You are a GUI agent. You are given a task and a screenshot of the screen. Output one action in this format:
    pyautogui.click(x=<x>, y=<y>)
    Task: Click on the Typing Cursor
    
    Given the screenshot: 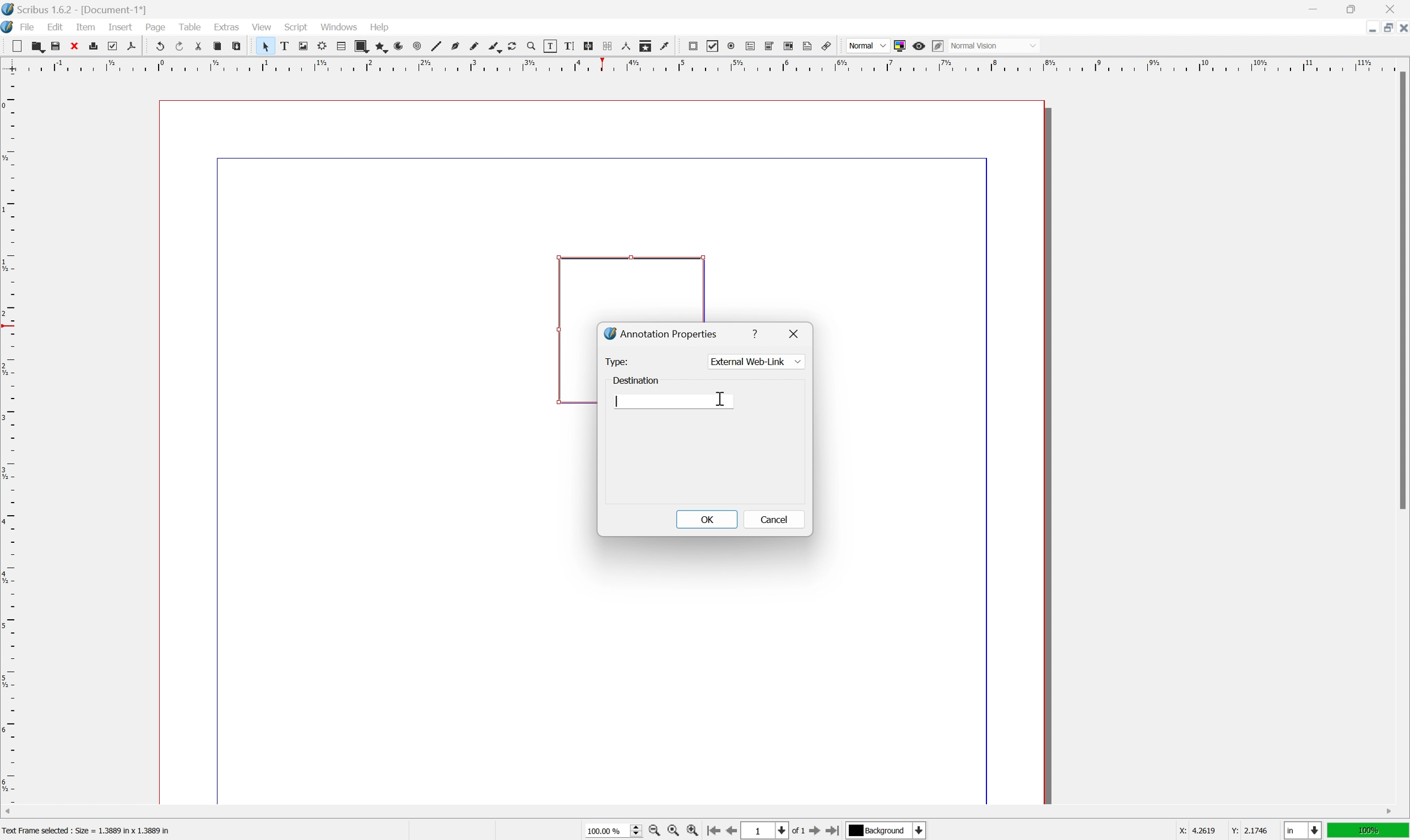 What is the action you would take?
    pyautogui.click(x=617, y=401)
    